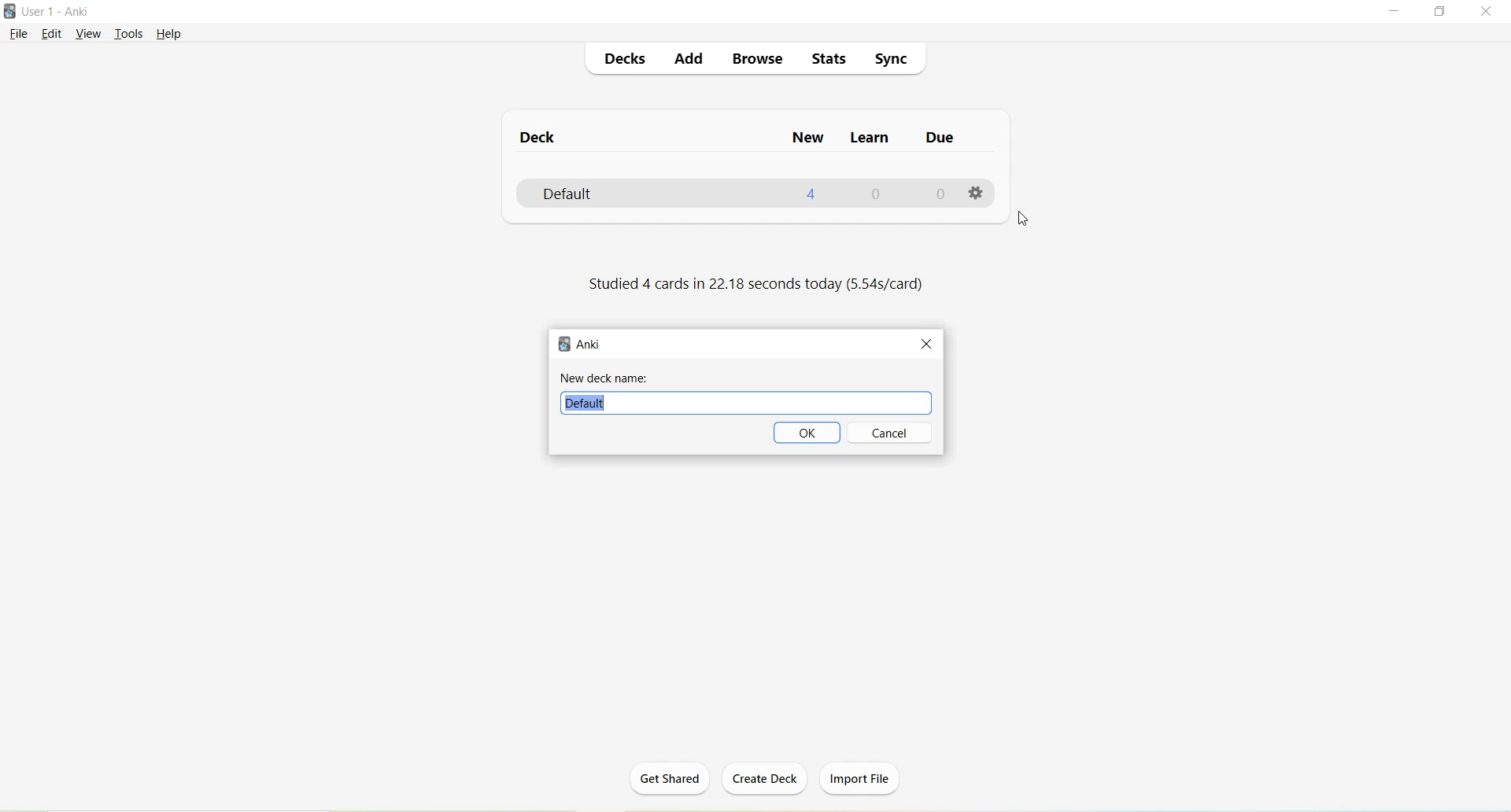  Describe the element at coordinates (168, 34) in the screenshot. I see `Help` at that location.